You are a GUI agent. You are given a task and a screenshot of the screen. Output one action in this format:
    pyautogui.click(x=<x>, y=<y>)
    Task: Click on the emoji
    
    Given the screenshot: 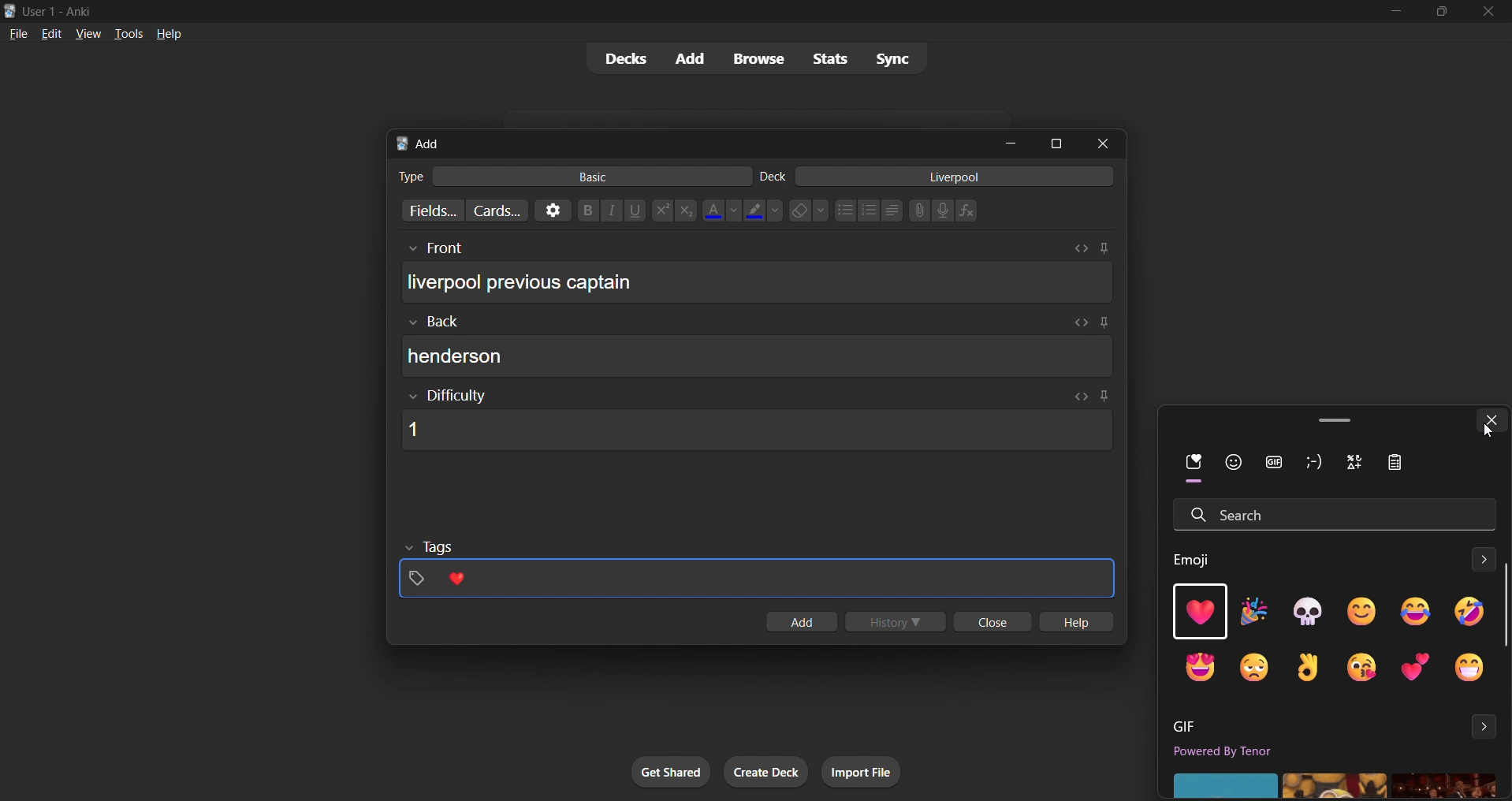 What is the action you would take?
    pyautogui.click(x=1360, y=611)
    